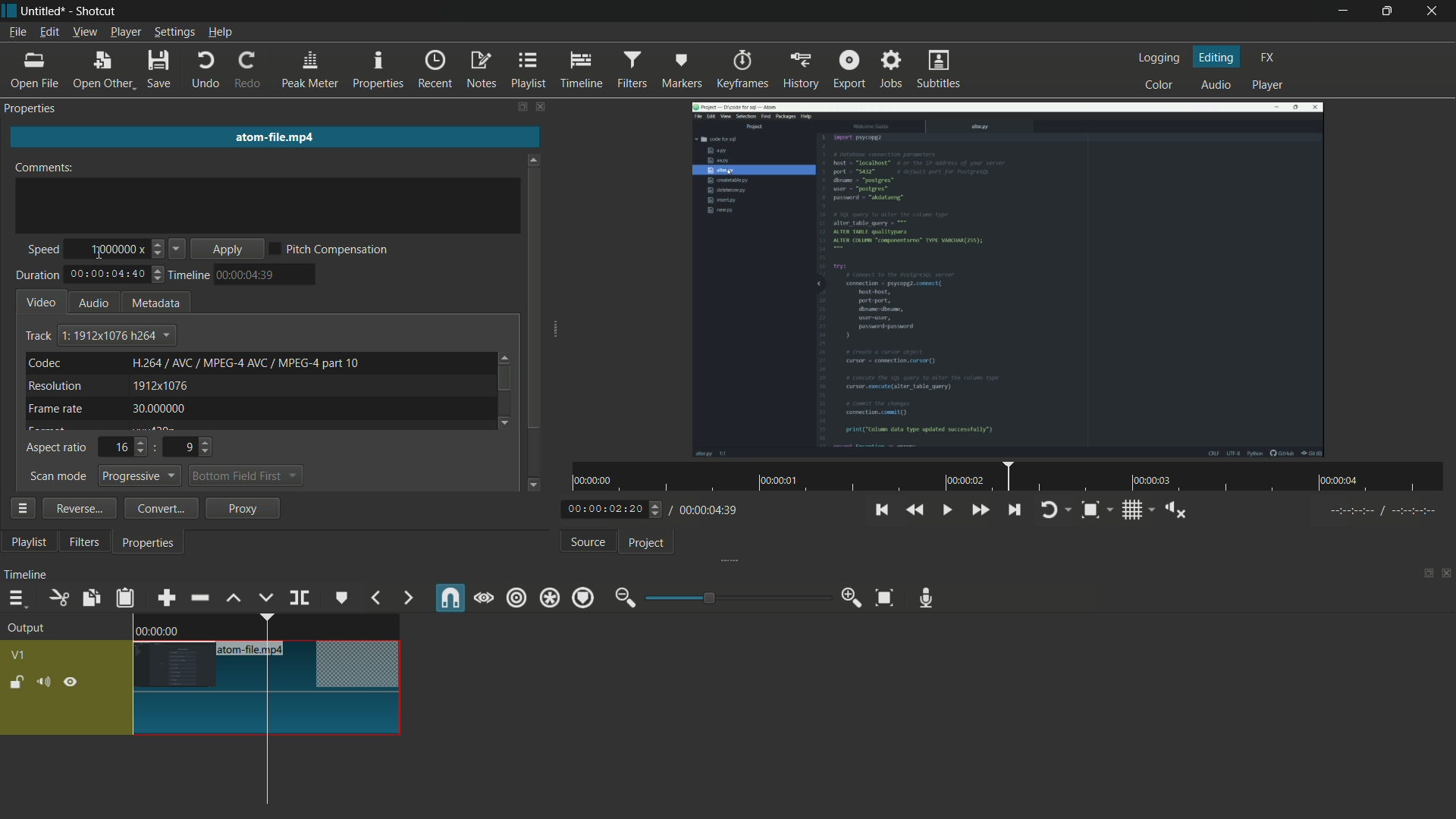  Describe the element at coordinates (37, 275) in the screenshot. I see `duration` at that location.